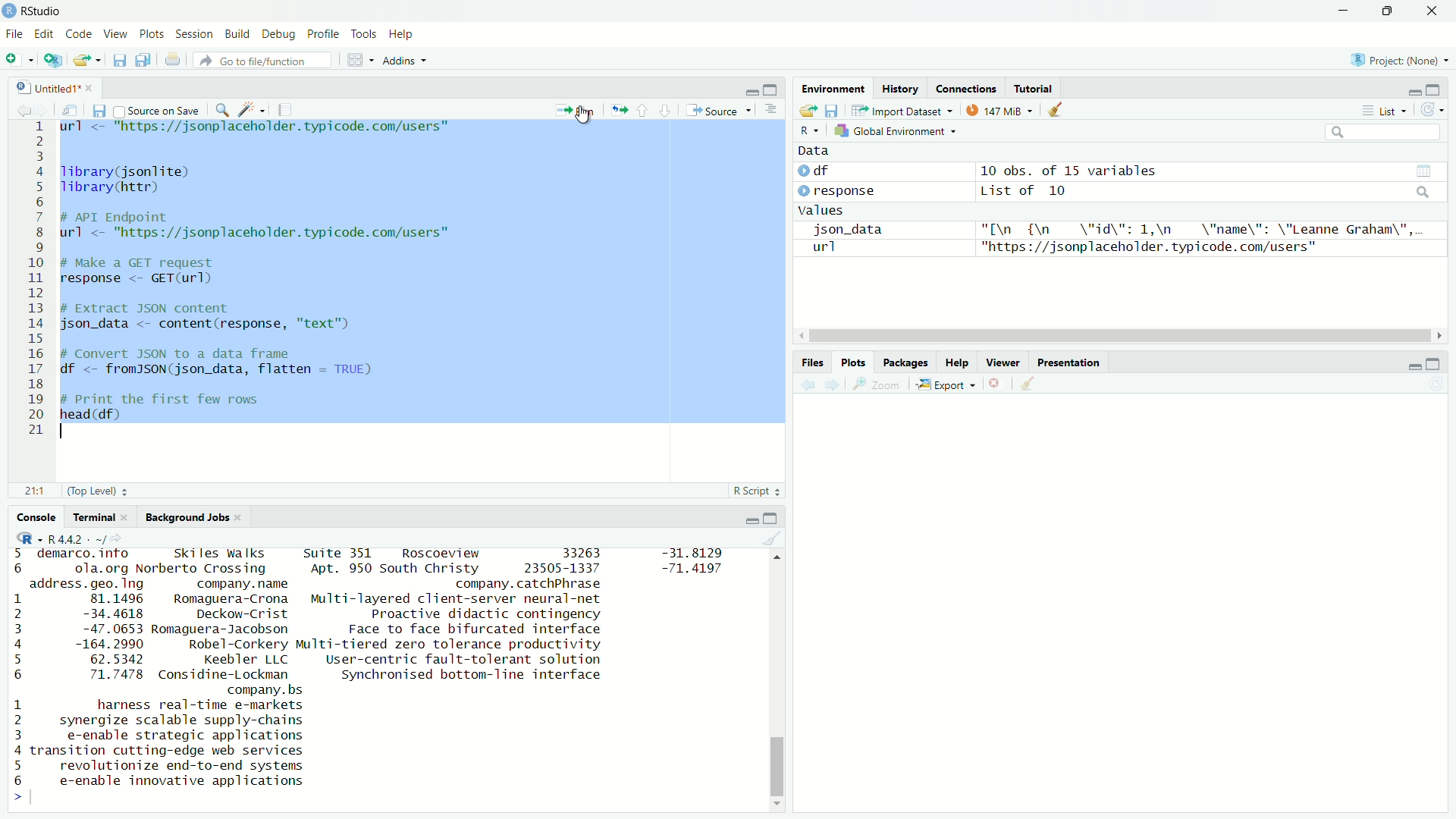 This screenshot has width=1456, height=819. Describe the element at coordinates (808, 111) in the screenshot. I see `Load` at that location.